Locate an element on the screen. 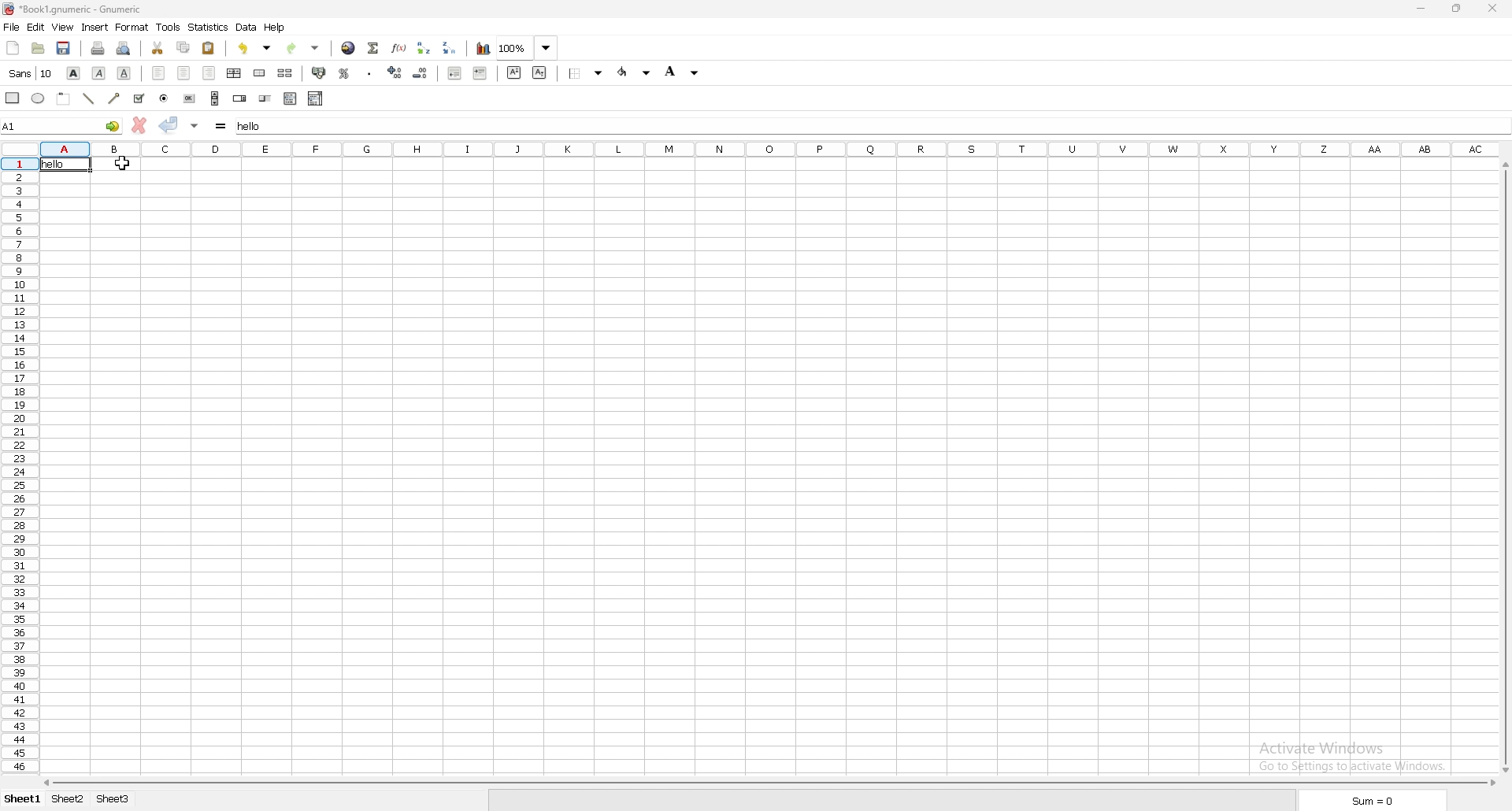 The height and width of the screenshot is (811, 1512). align right is located at coordinates (209, 74).